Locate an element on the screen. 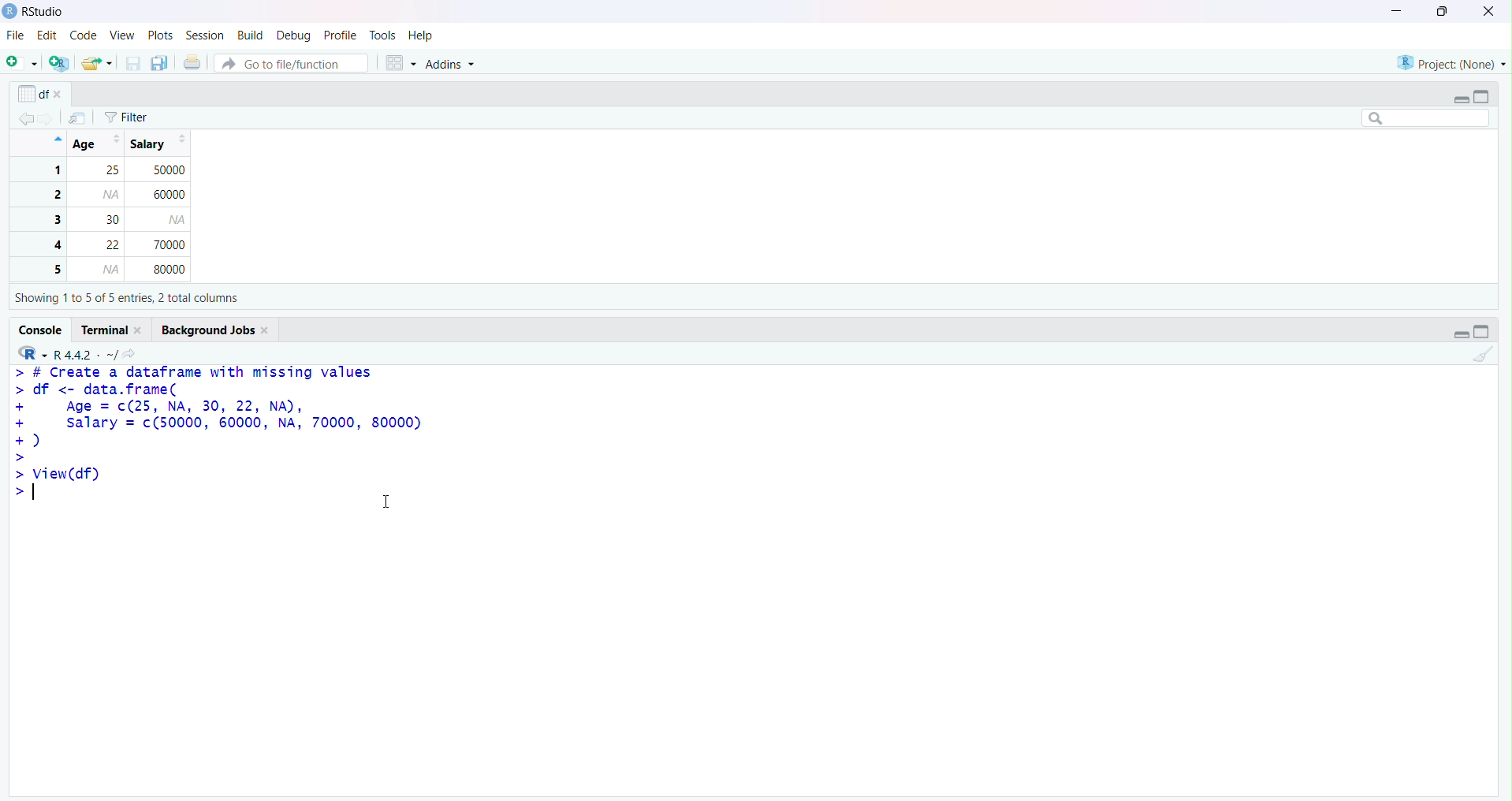 This screenshot has width=1512, height=801. Salary is located at coordinates (155, 141).